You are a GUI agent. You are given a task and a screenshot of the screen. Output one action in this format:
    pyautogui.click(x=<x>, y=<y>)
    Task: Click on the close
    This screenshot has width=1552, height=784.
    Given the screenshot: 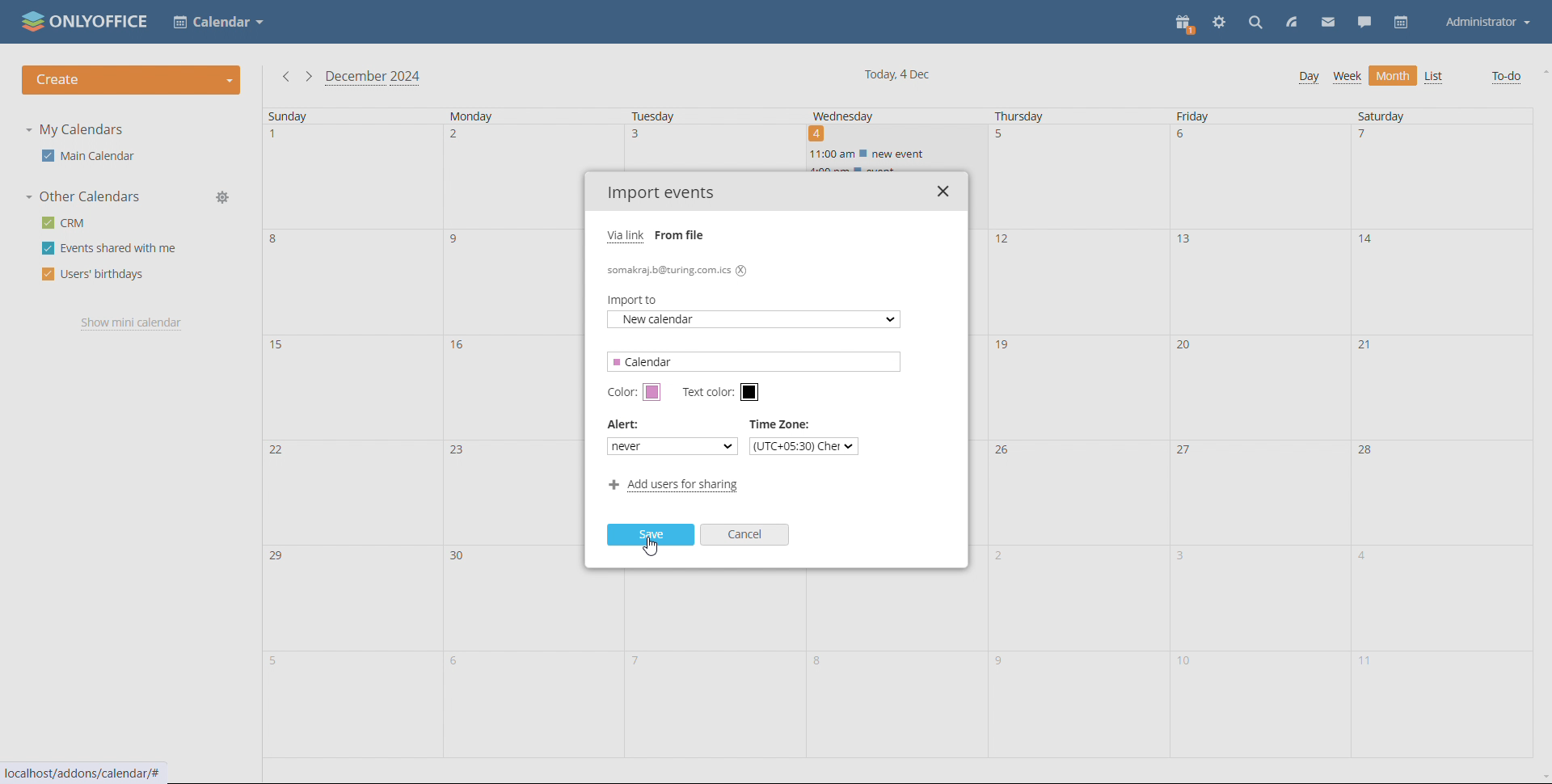 What is the action you would take?
    pyautogui.click(x=943, y=191)
    